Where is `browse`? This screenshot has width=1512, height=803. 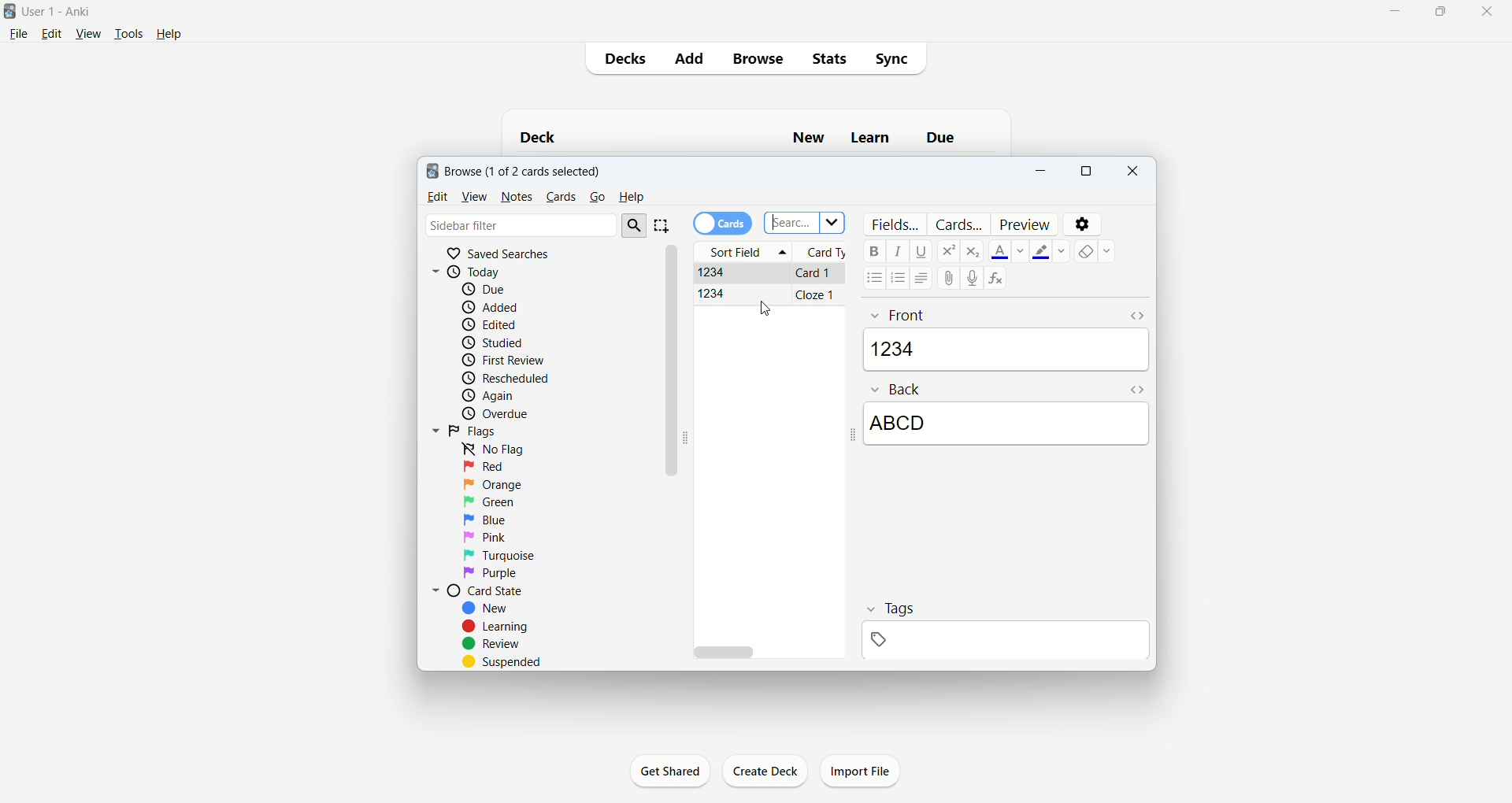
browse is located at coordinates (758, 58).